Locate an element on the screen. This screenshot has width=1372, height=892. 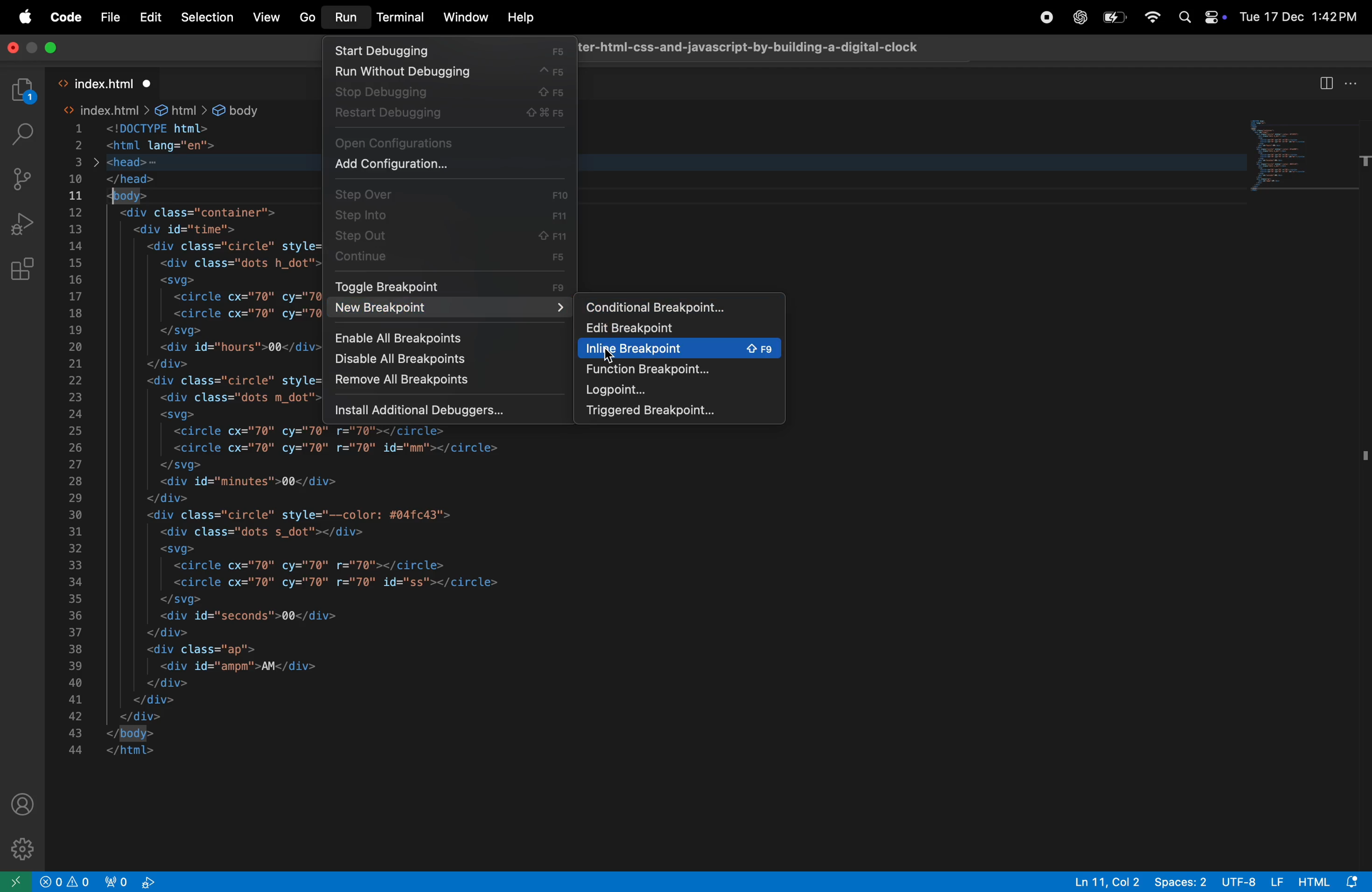
3 index.html — master-html-css-and-javascript-by-building-a-digital-clock is located at coordinates (752, 46).